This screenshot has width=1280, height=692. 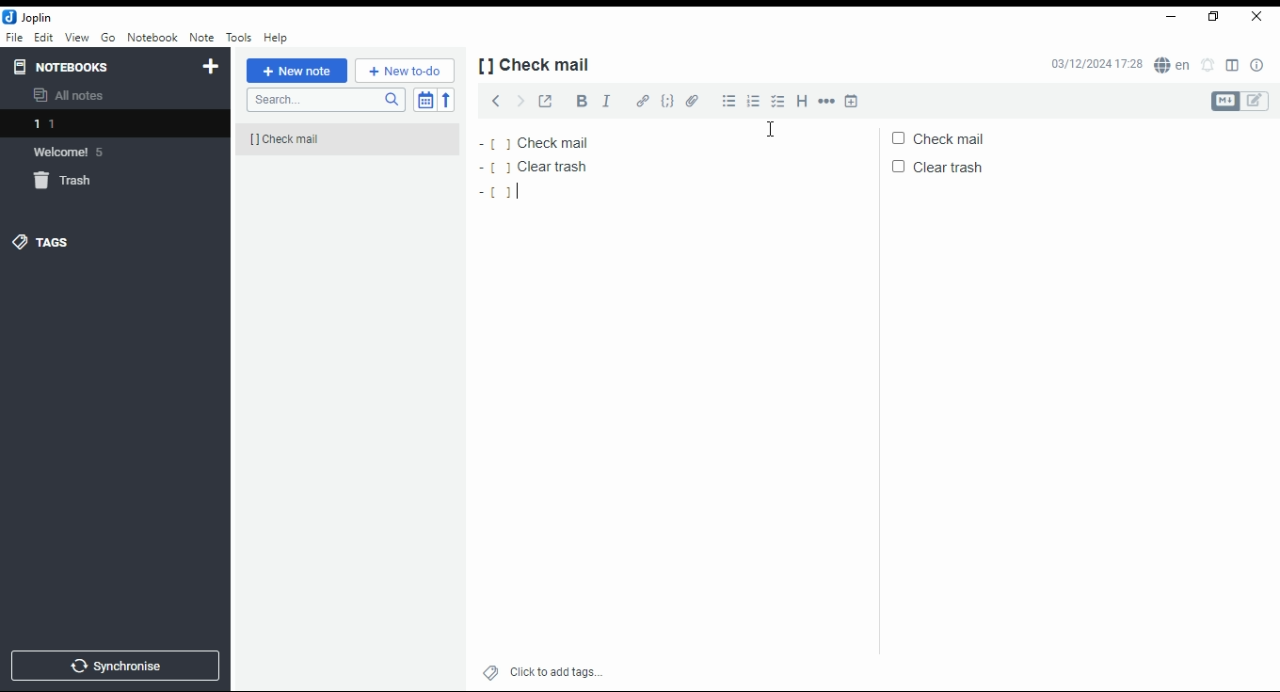 I want to click on spell checker, so click(x=1175, y=67).